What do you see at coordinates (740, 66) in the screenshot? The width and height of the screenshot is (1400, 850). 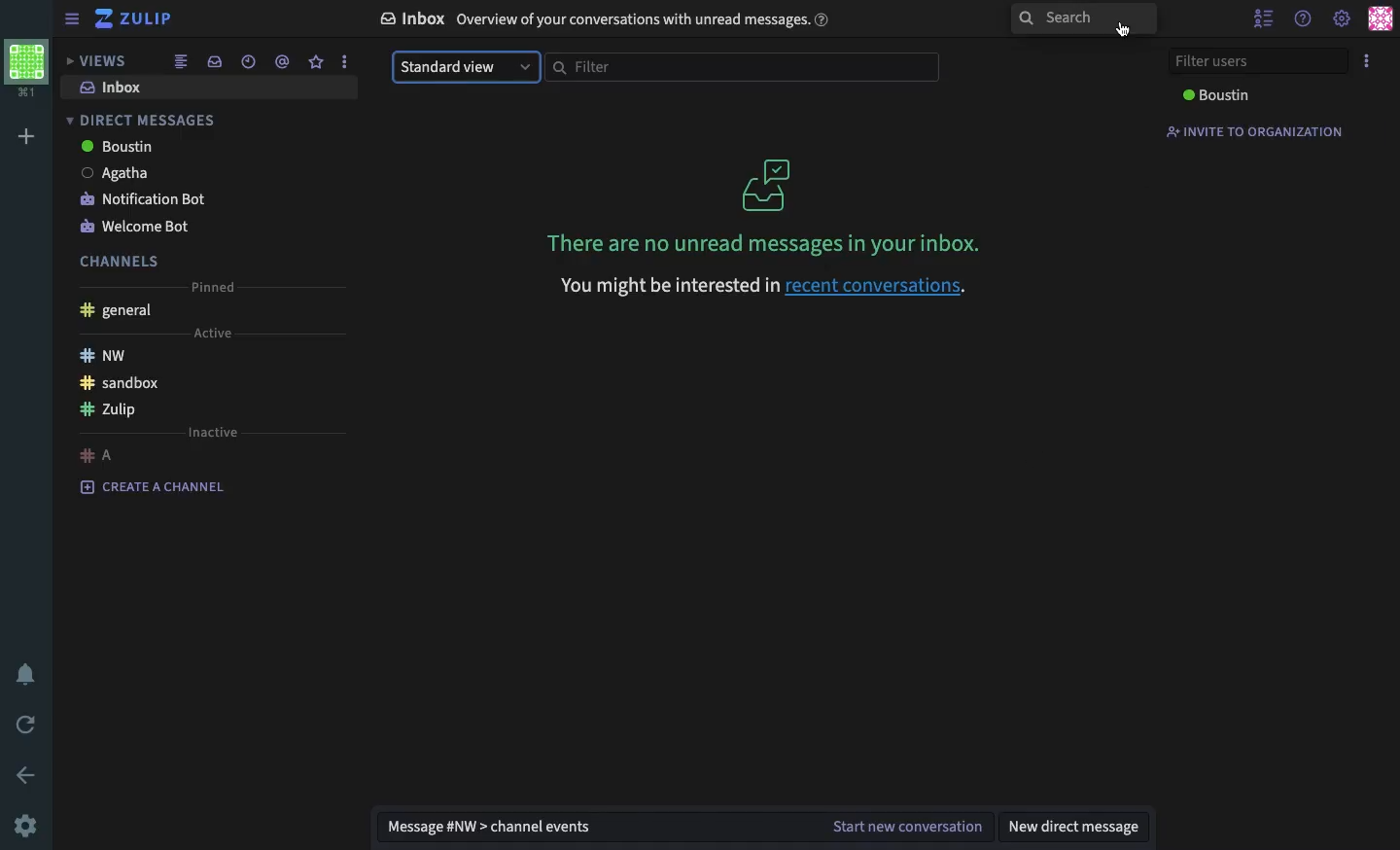 I see `filter` at bounding box center [740, 66].